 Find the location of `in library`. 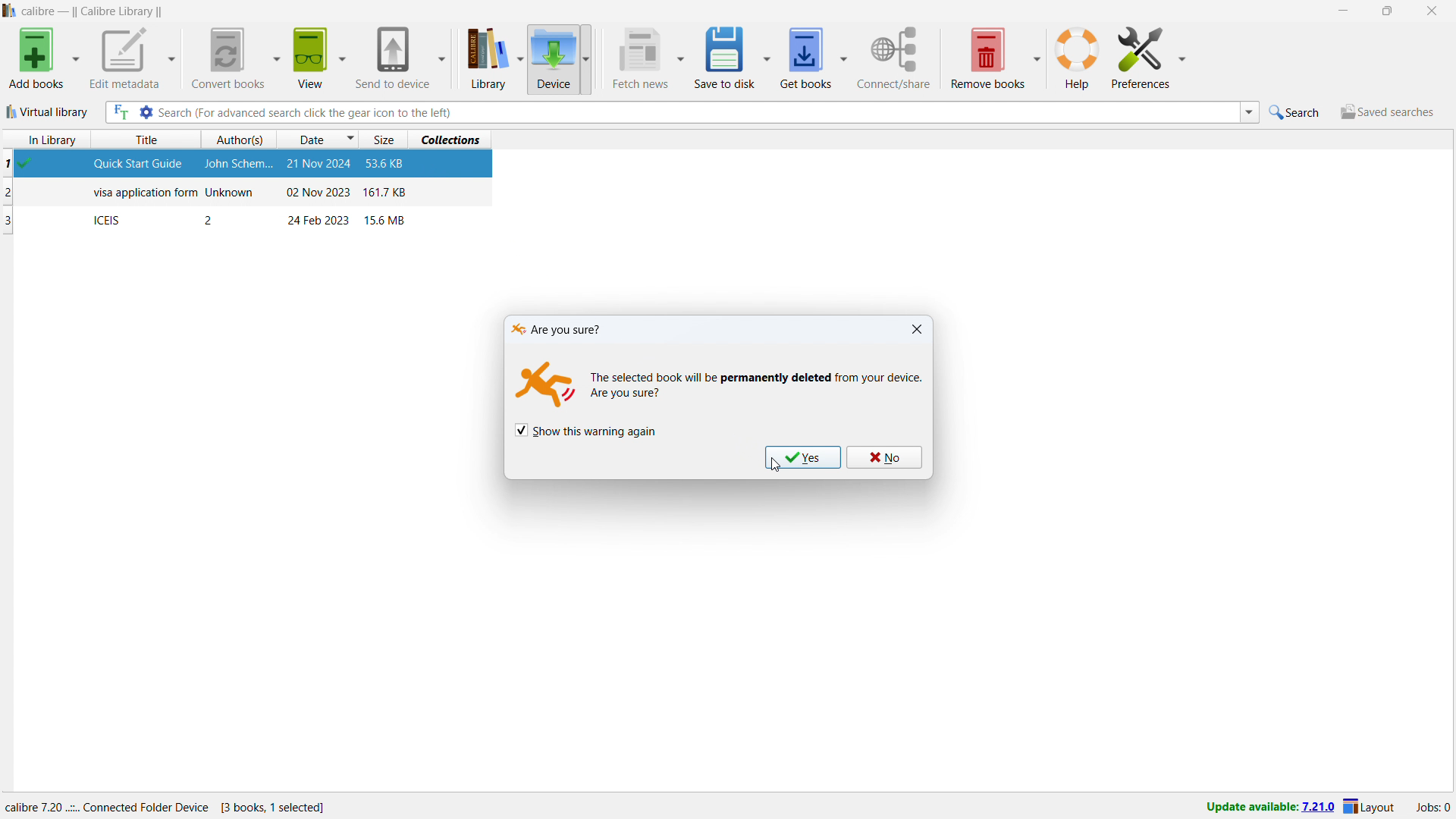

in library is located at coordinates (47, 140).